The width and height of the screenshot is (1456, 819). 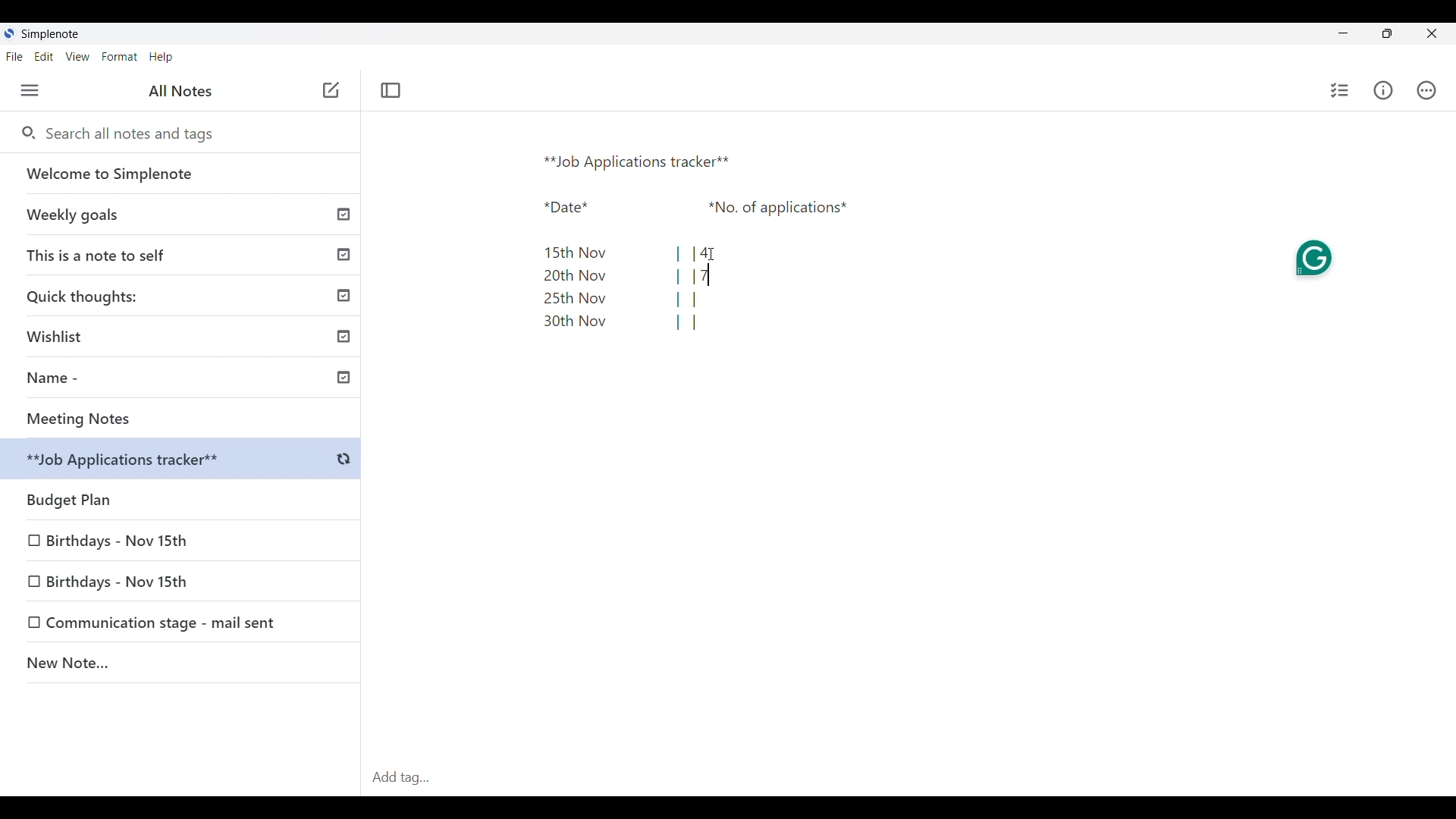 What do you see at coordinates (14, 56) in the screenshot?
I see `File` at bounding box center [14, 56].